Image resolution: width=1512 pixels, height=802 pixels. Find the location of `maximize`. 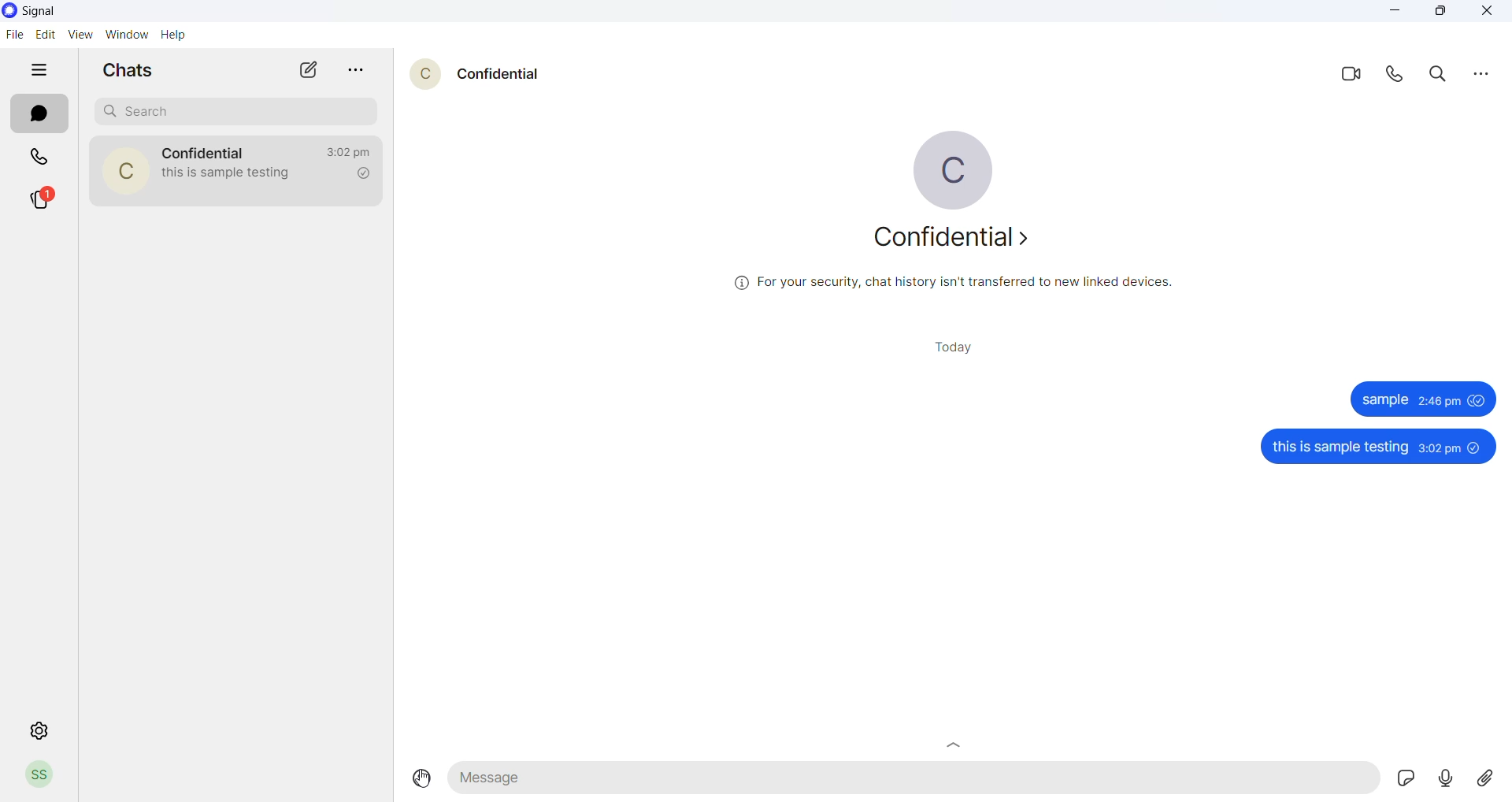

maximize is located at coordinates (1437, 13).